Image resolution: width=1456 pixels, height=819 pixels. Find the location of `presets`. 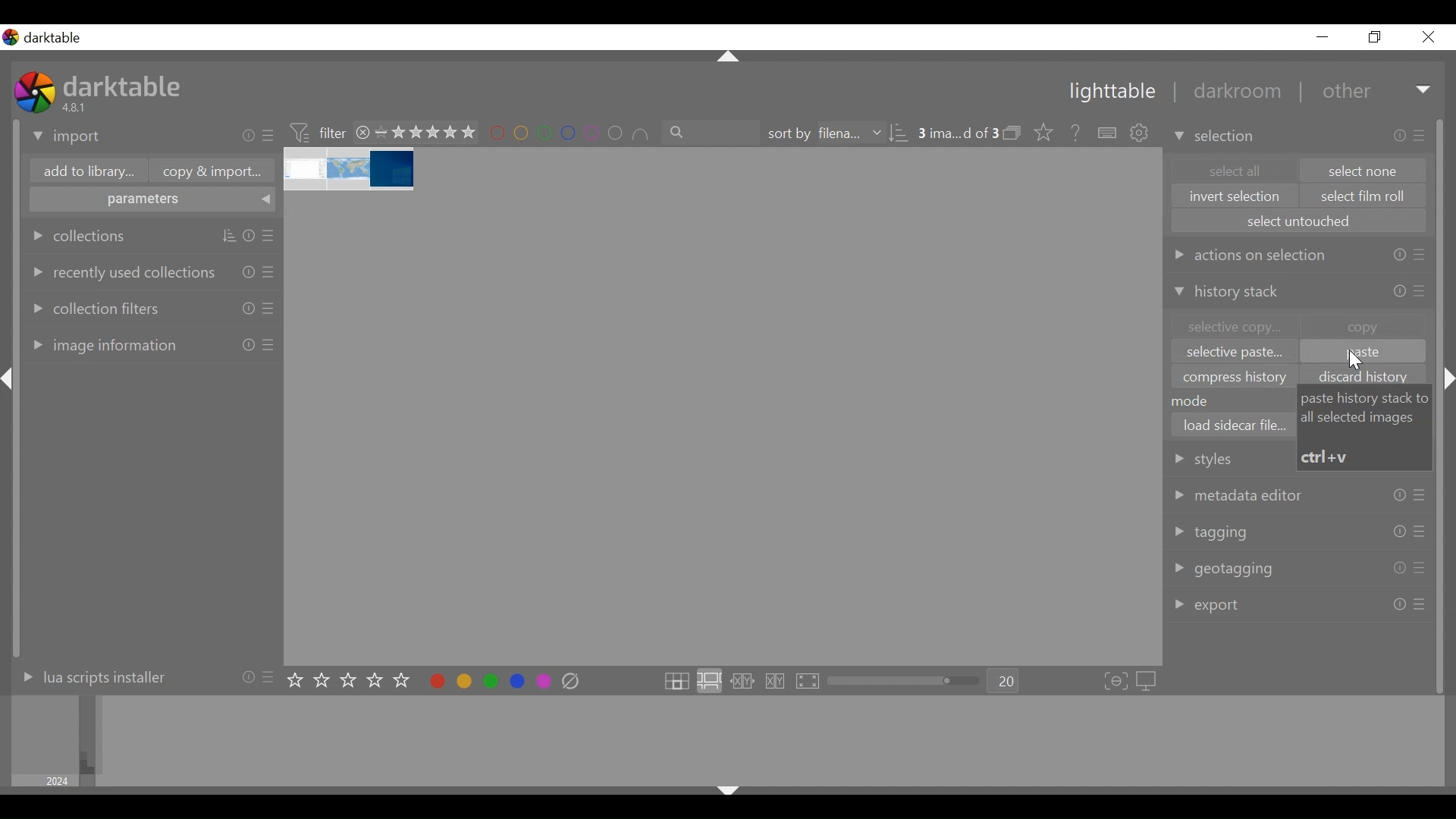

presets is located at coordinates (268, 345).